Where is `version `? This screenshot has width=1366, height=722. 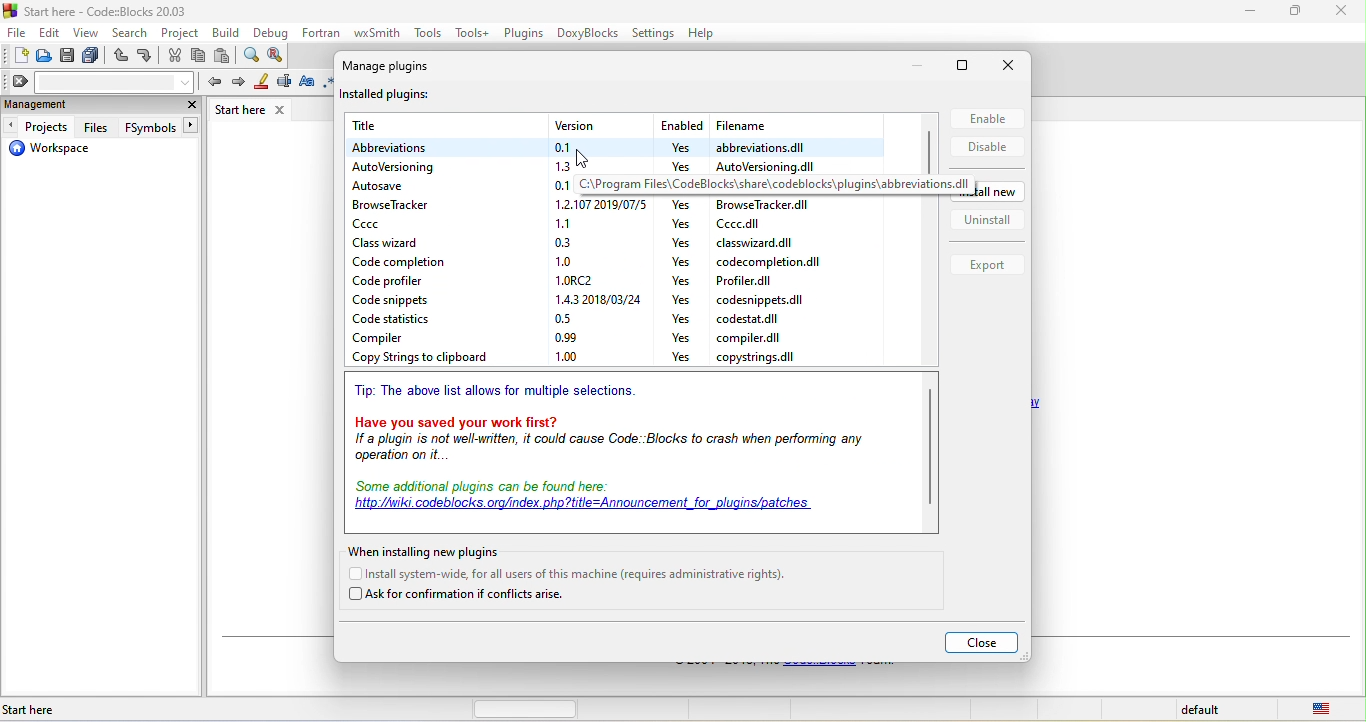
version  is located at coordinates (563, 243).